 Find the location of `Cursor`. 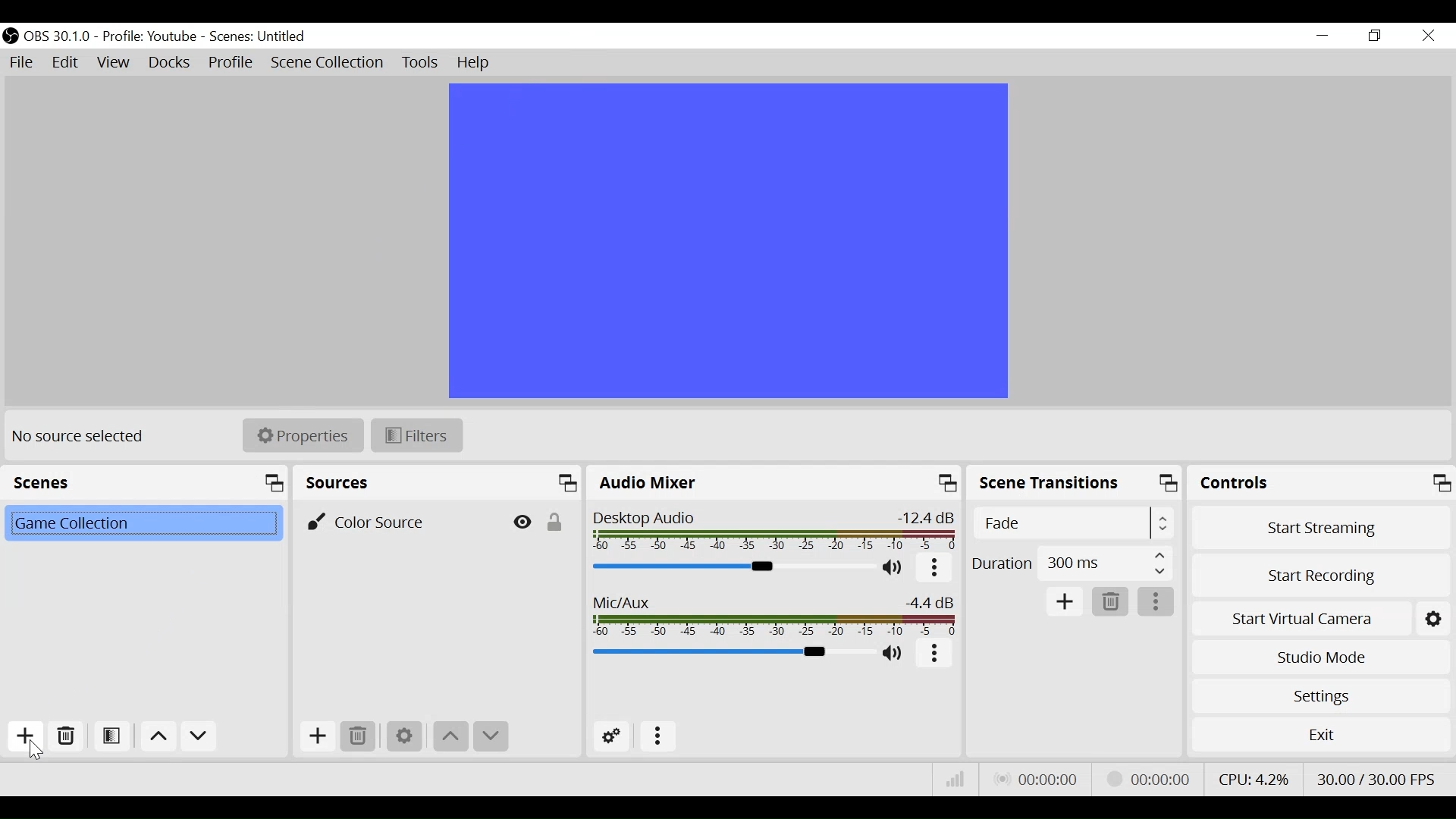

Cursor is located at coordinates (39, 749).